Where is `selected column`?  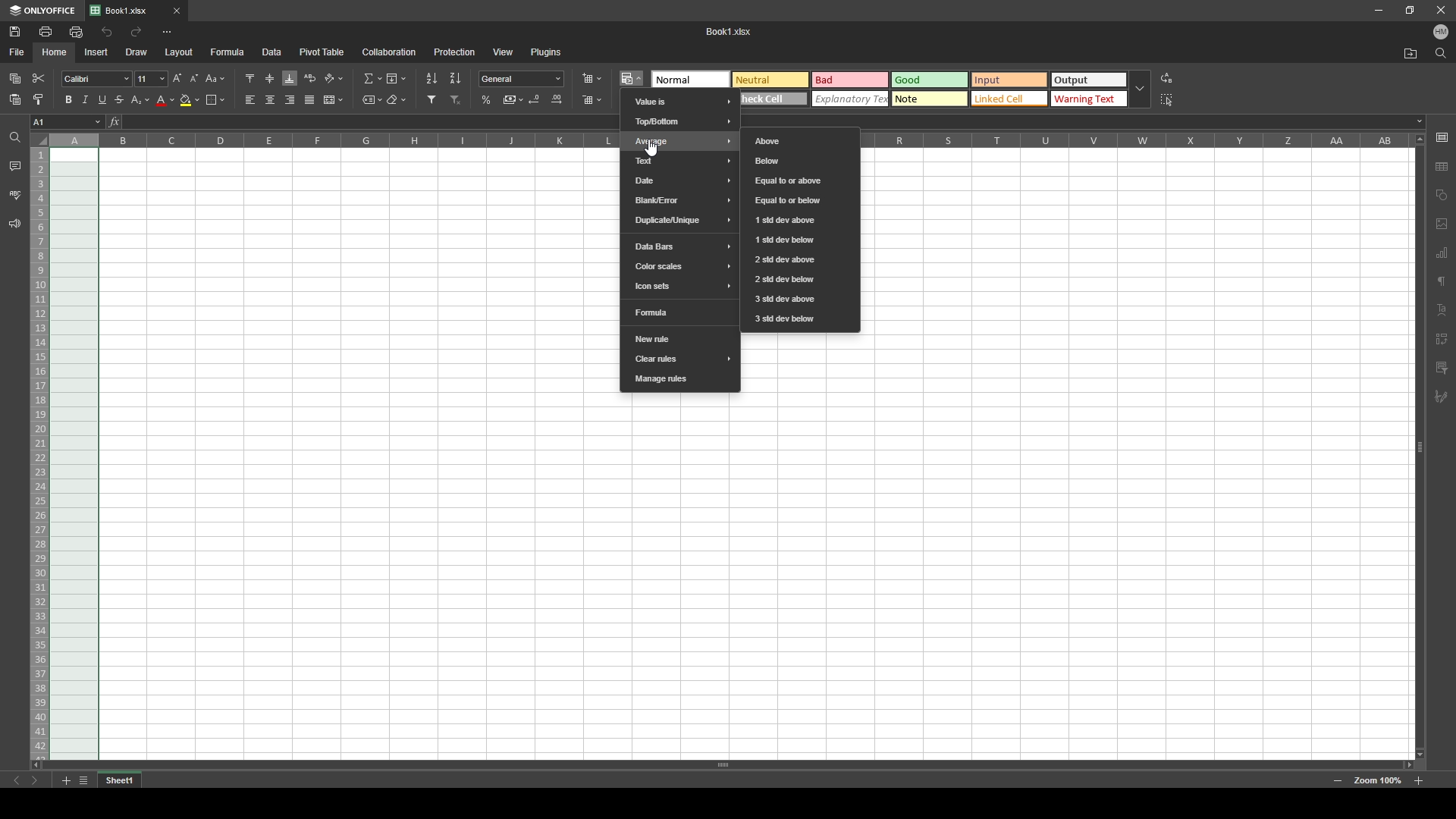 selected column is located at coordinates (74, 140).